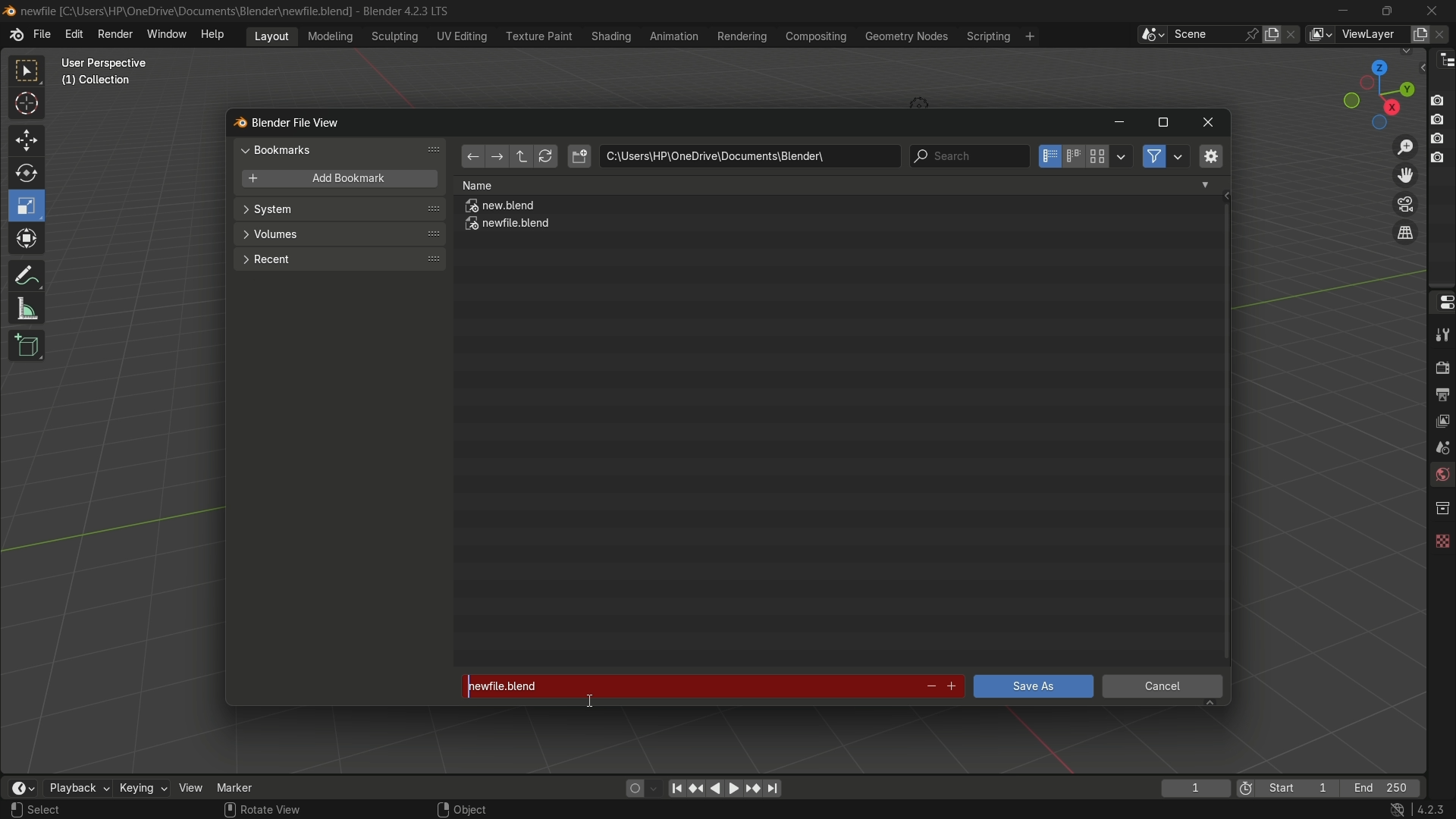 Image resolution: width=1456 pixels, height=819 pixels. What do you see at coordinates (1374, 91) in the screenshot?
I see `preset view` at bounding box center [1374, 91].